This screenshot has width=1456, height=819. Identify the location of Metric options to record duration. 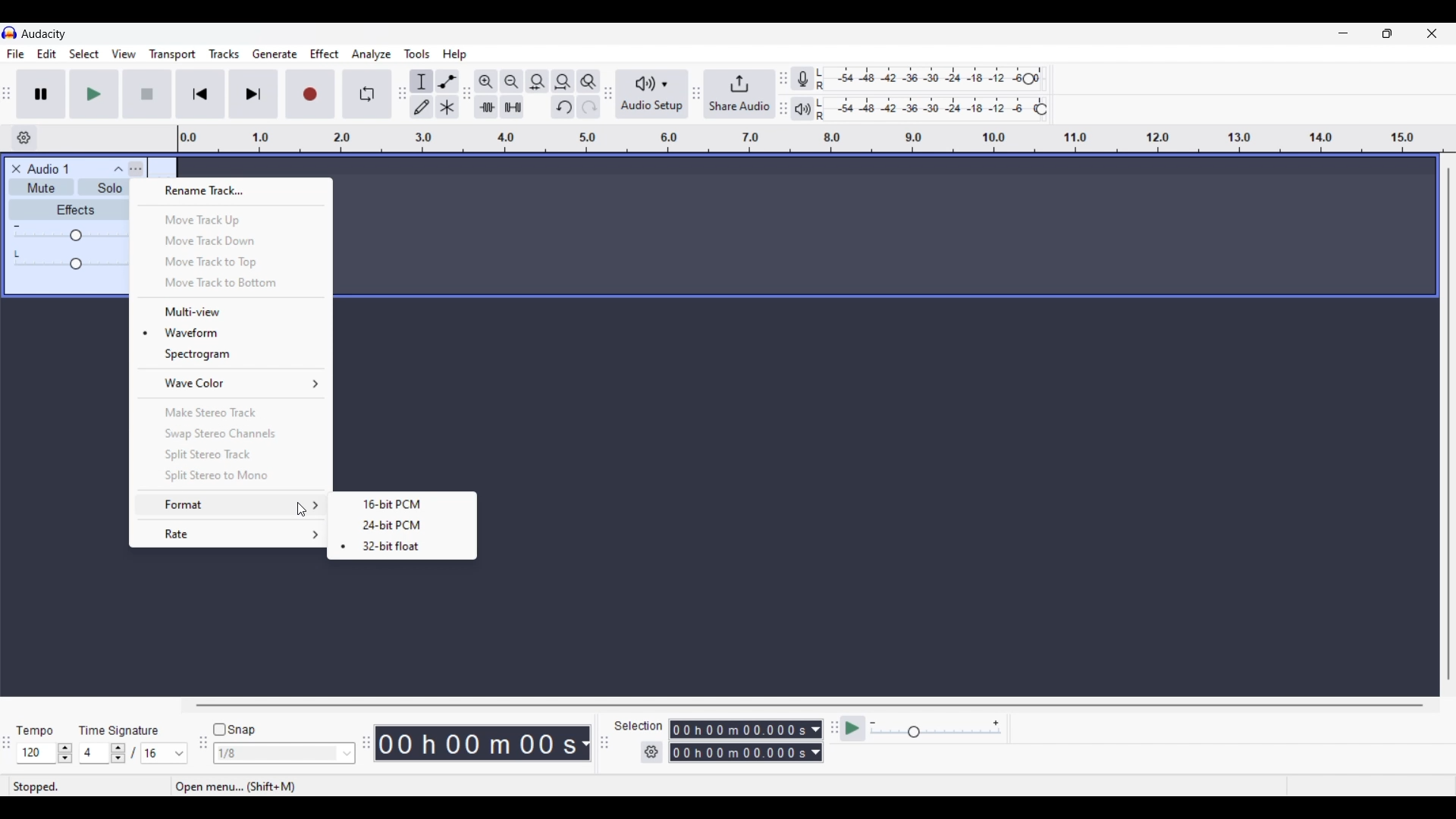
(814, 742).